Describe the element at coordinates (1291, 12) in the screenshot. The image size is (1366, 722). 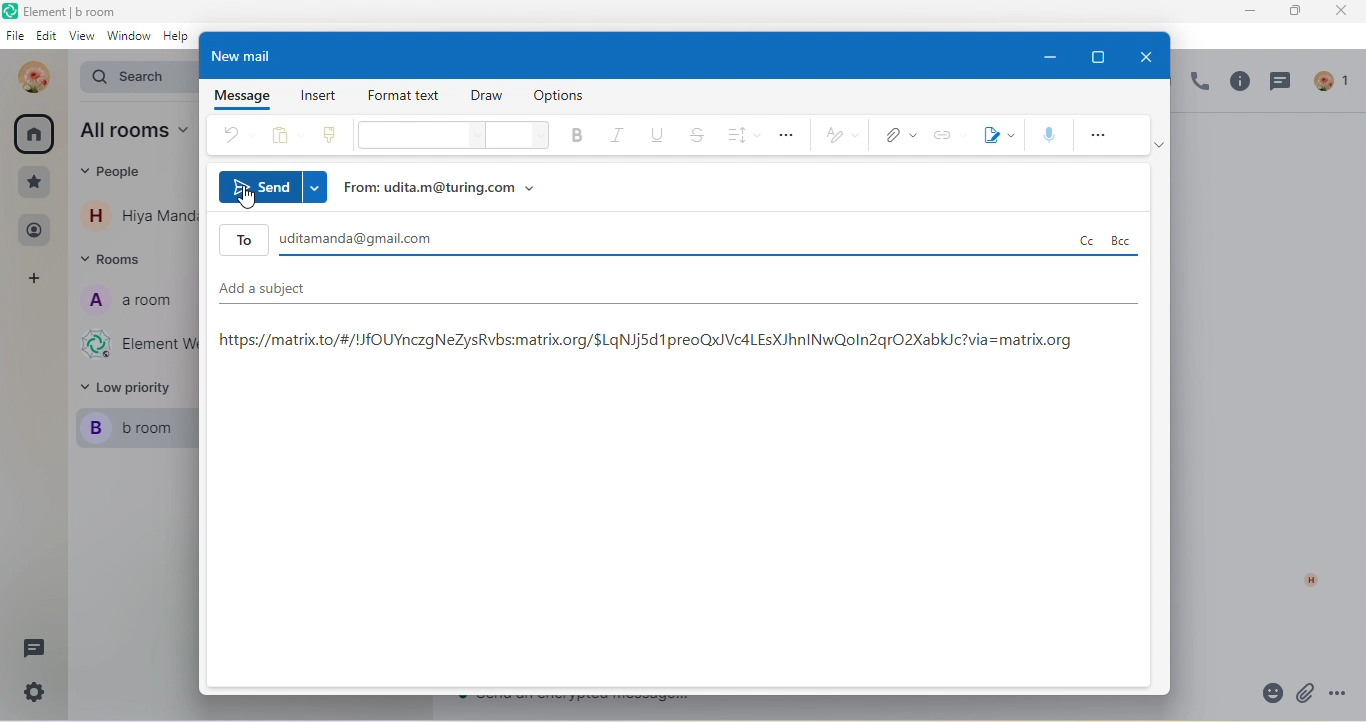
I see `maximize` at that location.